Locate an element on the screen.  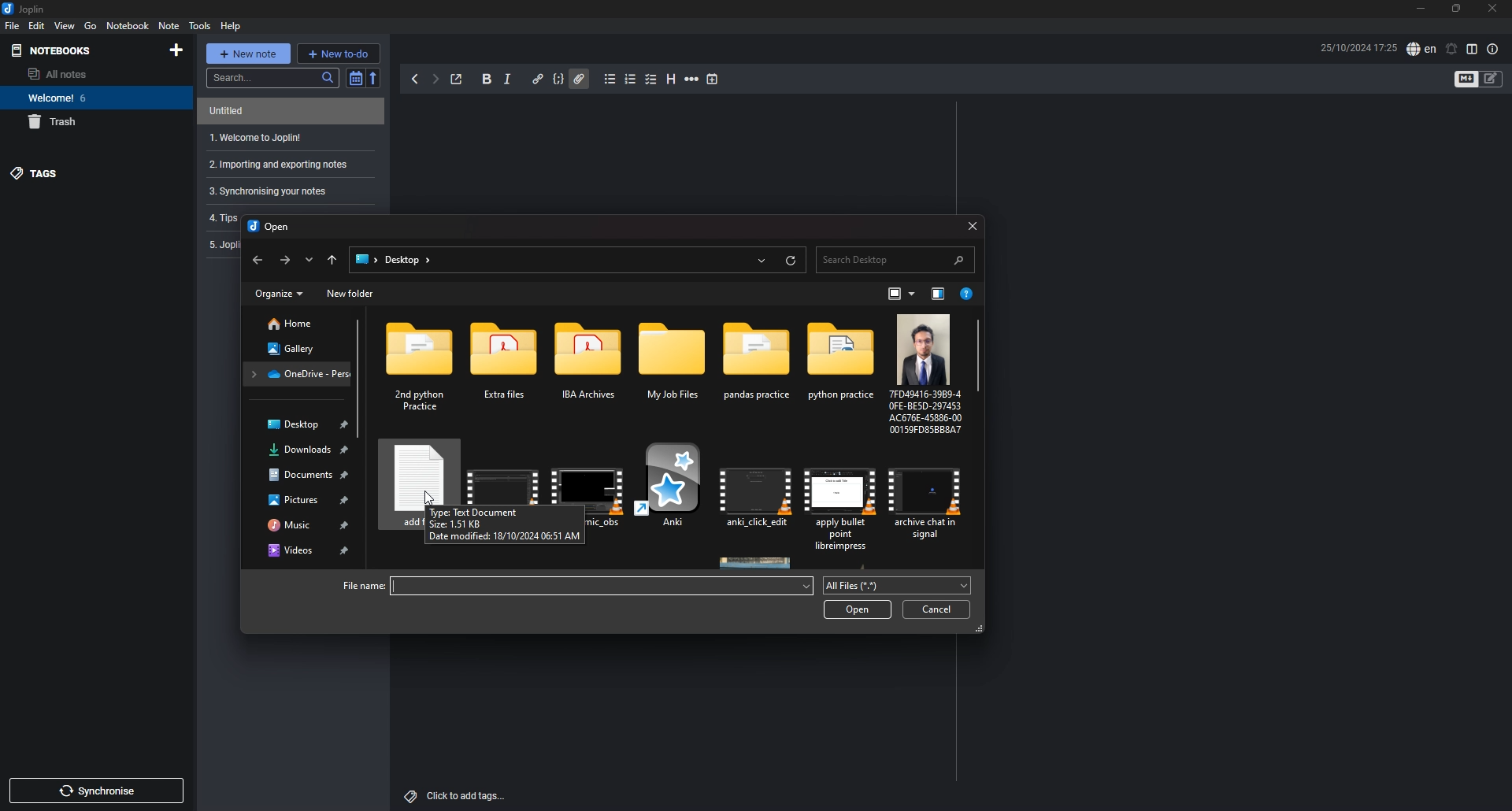
toggle editors is located at coordinates (1491, 78).